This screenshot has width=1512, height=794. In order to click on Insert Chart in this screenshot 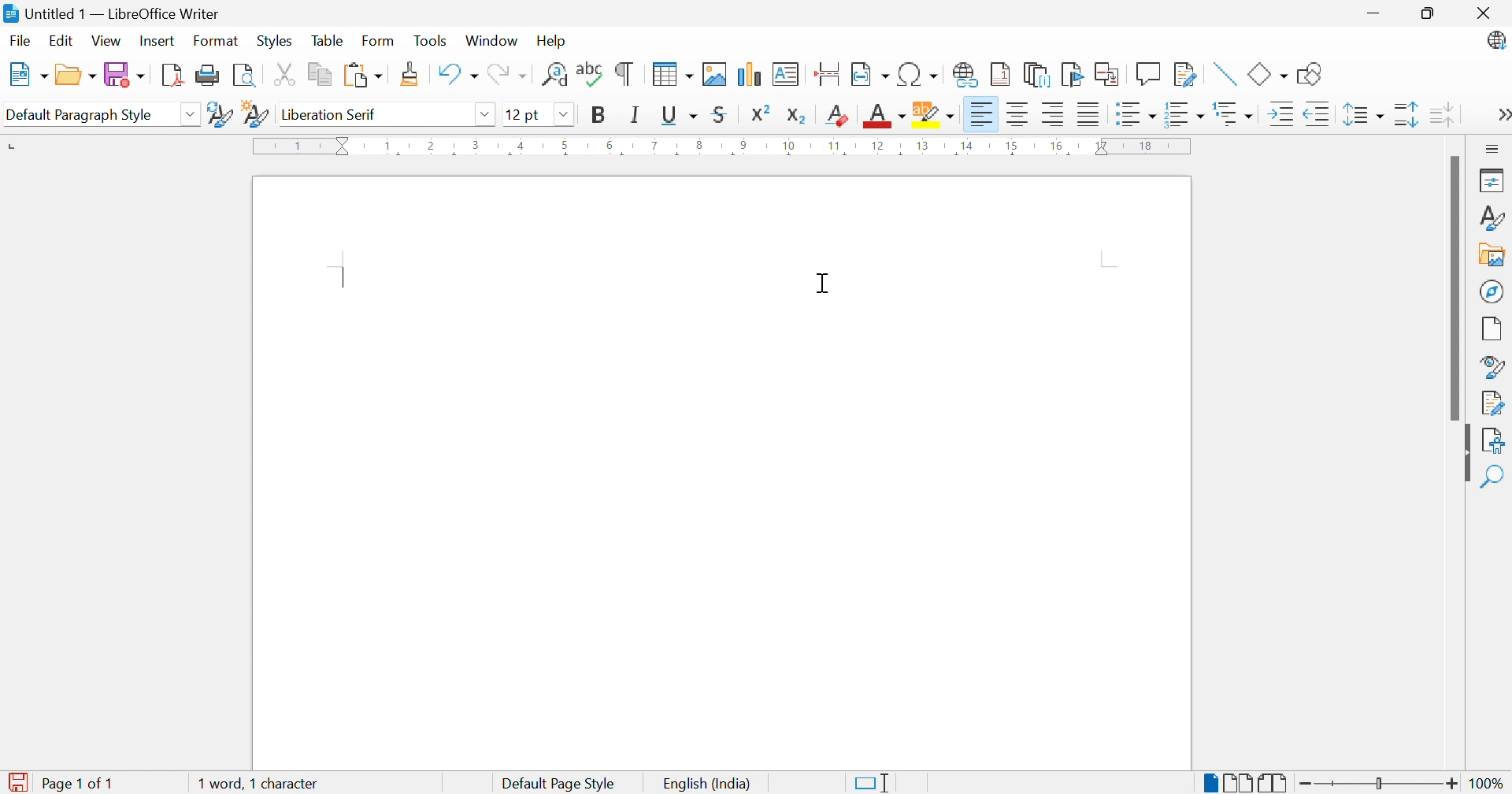, I will do `click(749, 74)`.